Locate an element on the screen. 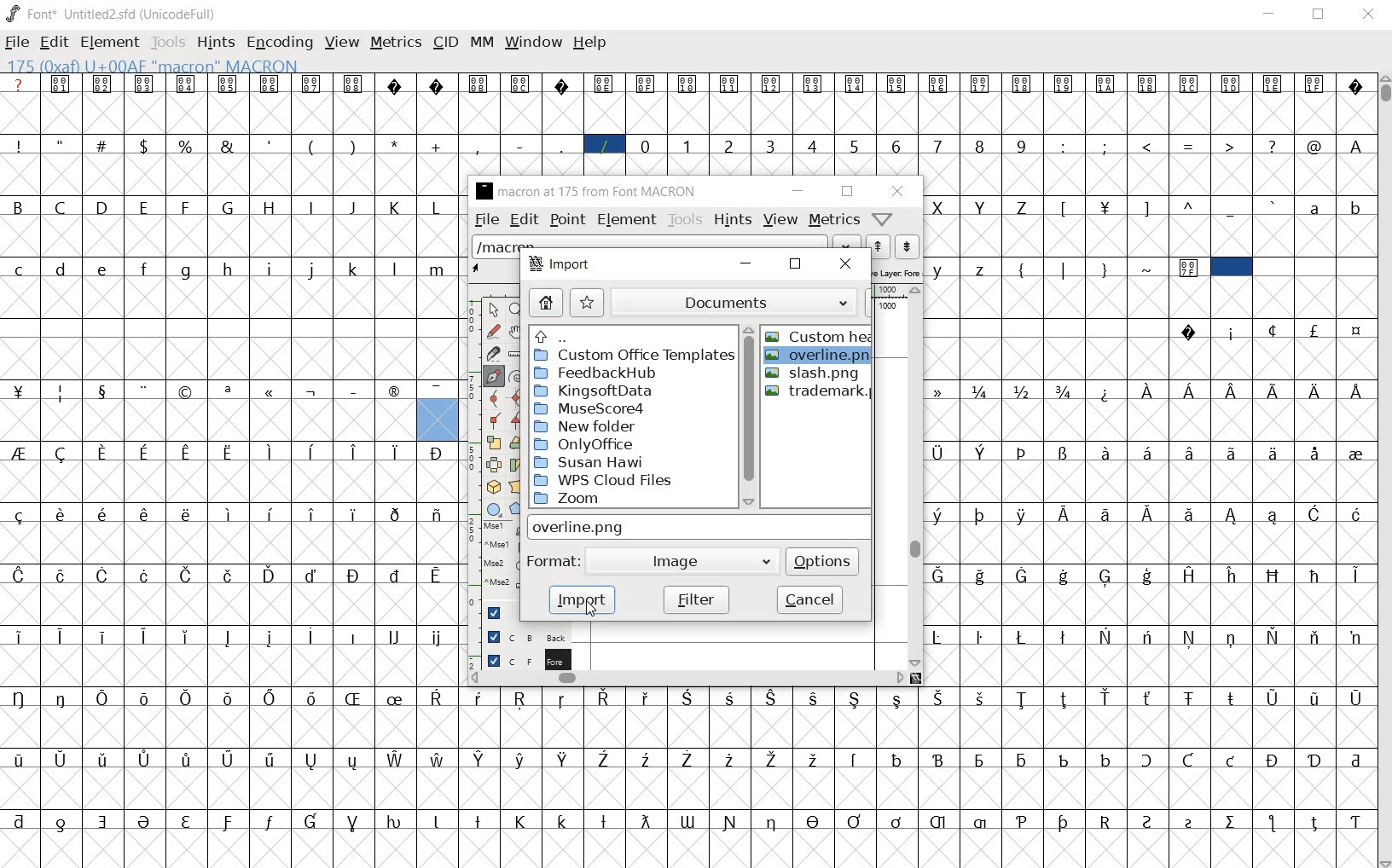 The height and width of the screenshot is (868, 1392). foreground layer is located at coordinates (528, 660).